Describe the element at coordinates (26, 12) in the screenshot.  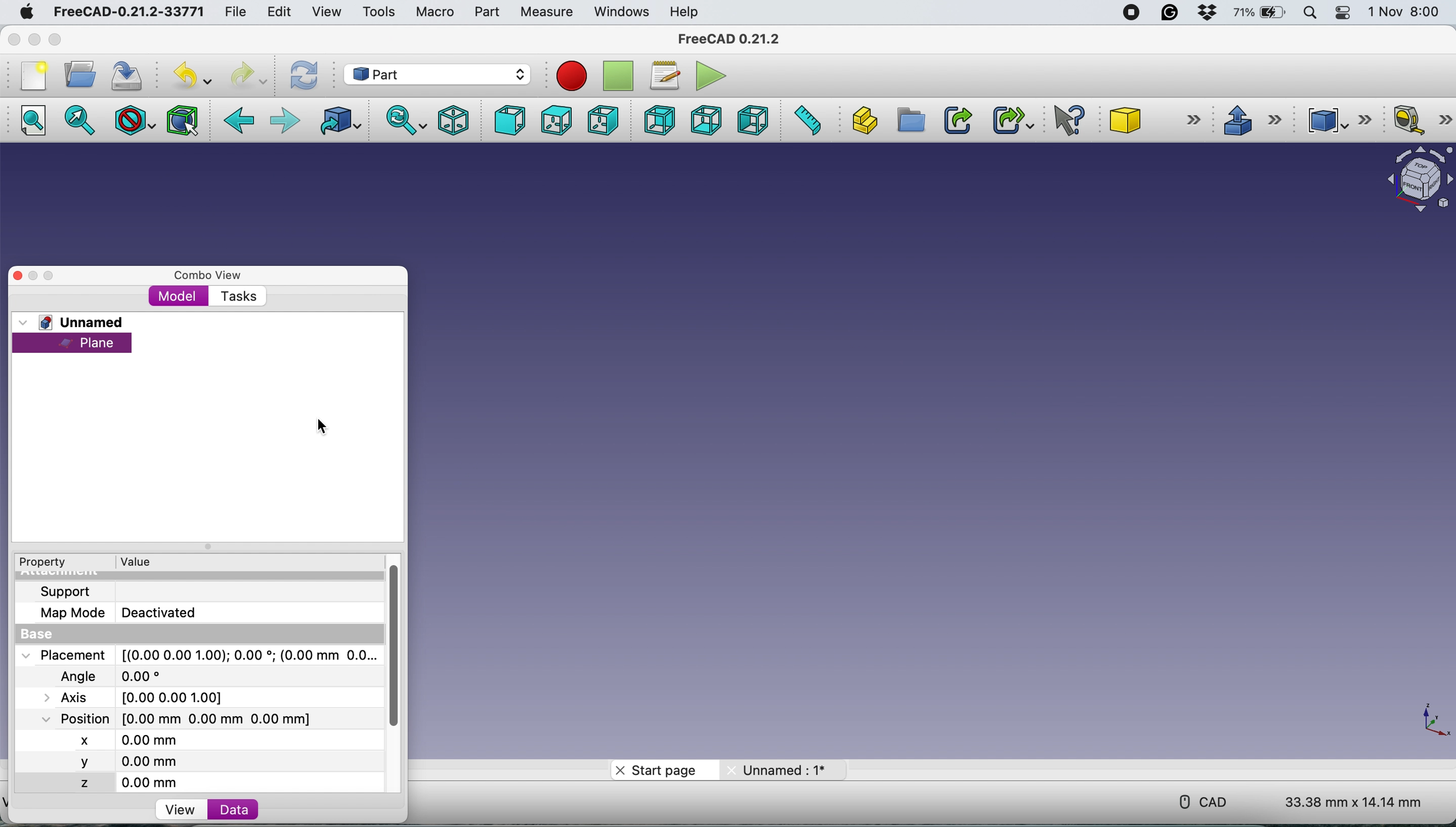
I see `system logo` at that location.